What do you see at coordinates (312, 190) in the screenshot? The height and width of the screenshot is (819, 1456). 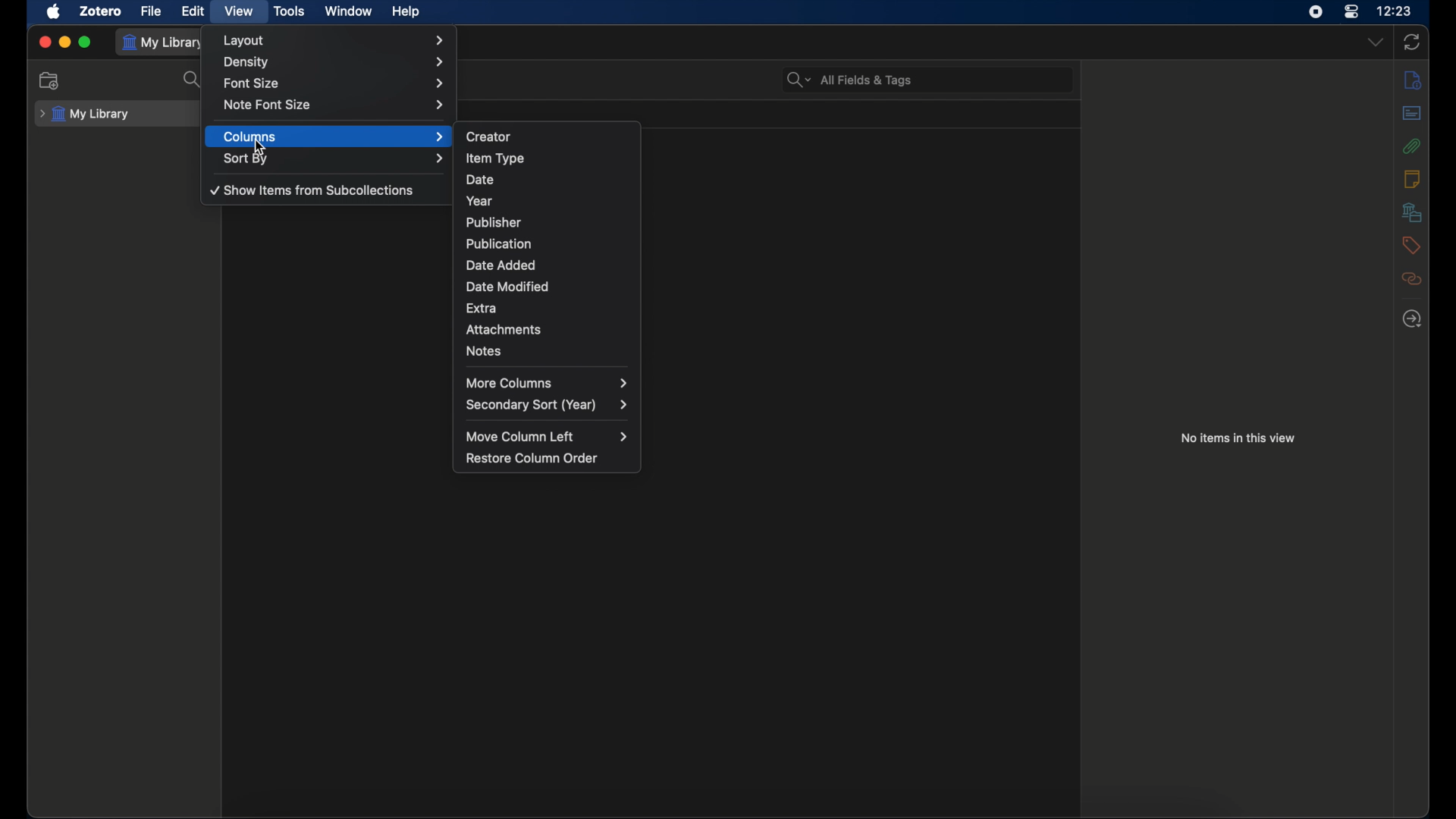 I see `show items from subcollections` at bounding box center [312, 190].